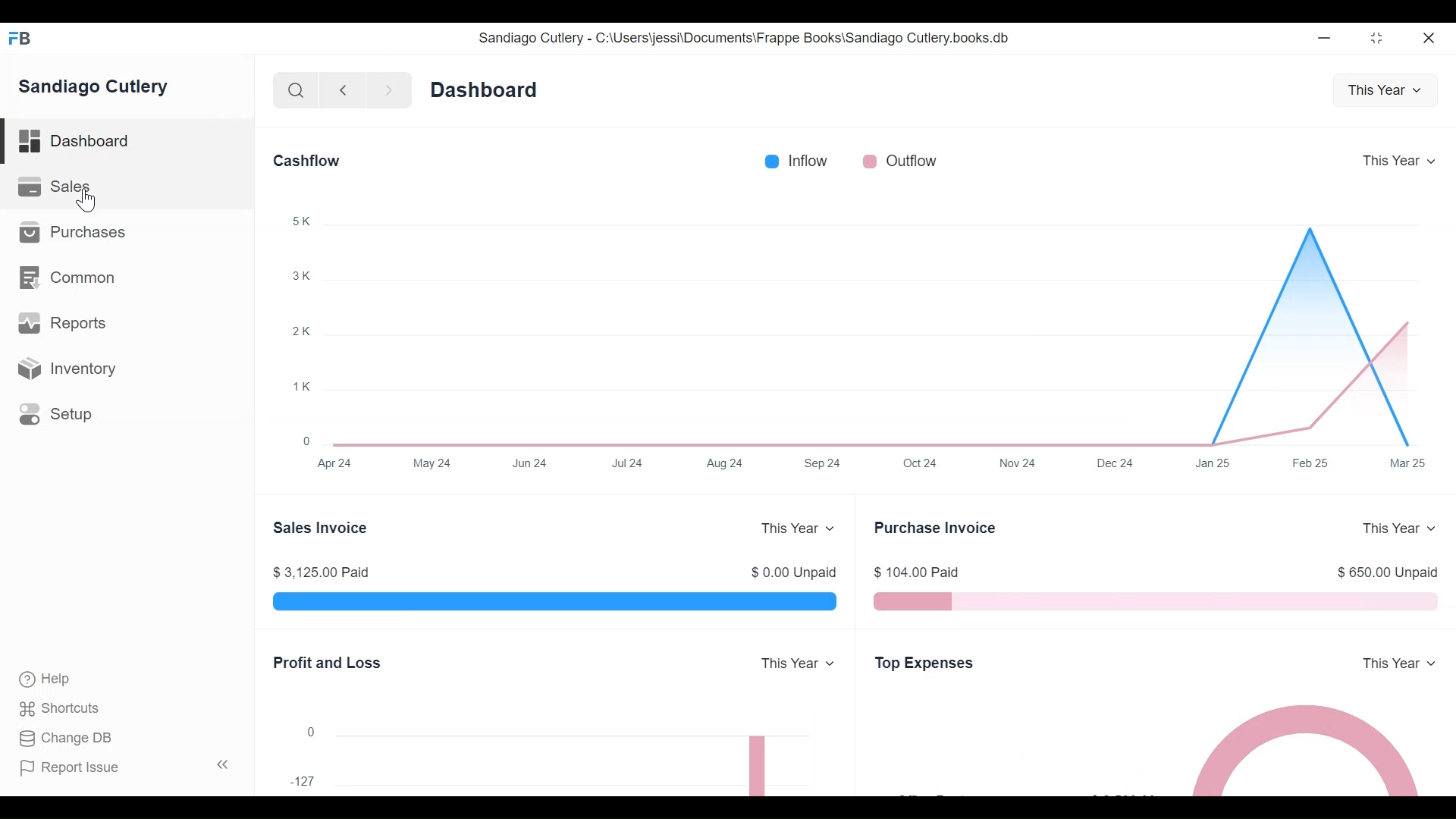  Describe the element at coordinates (1387, 571) in the screenshot. I see `$ 850.00 Unpaid` at that location.